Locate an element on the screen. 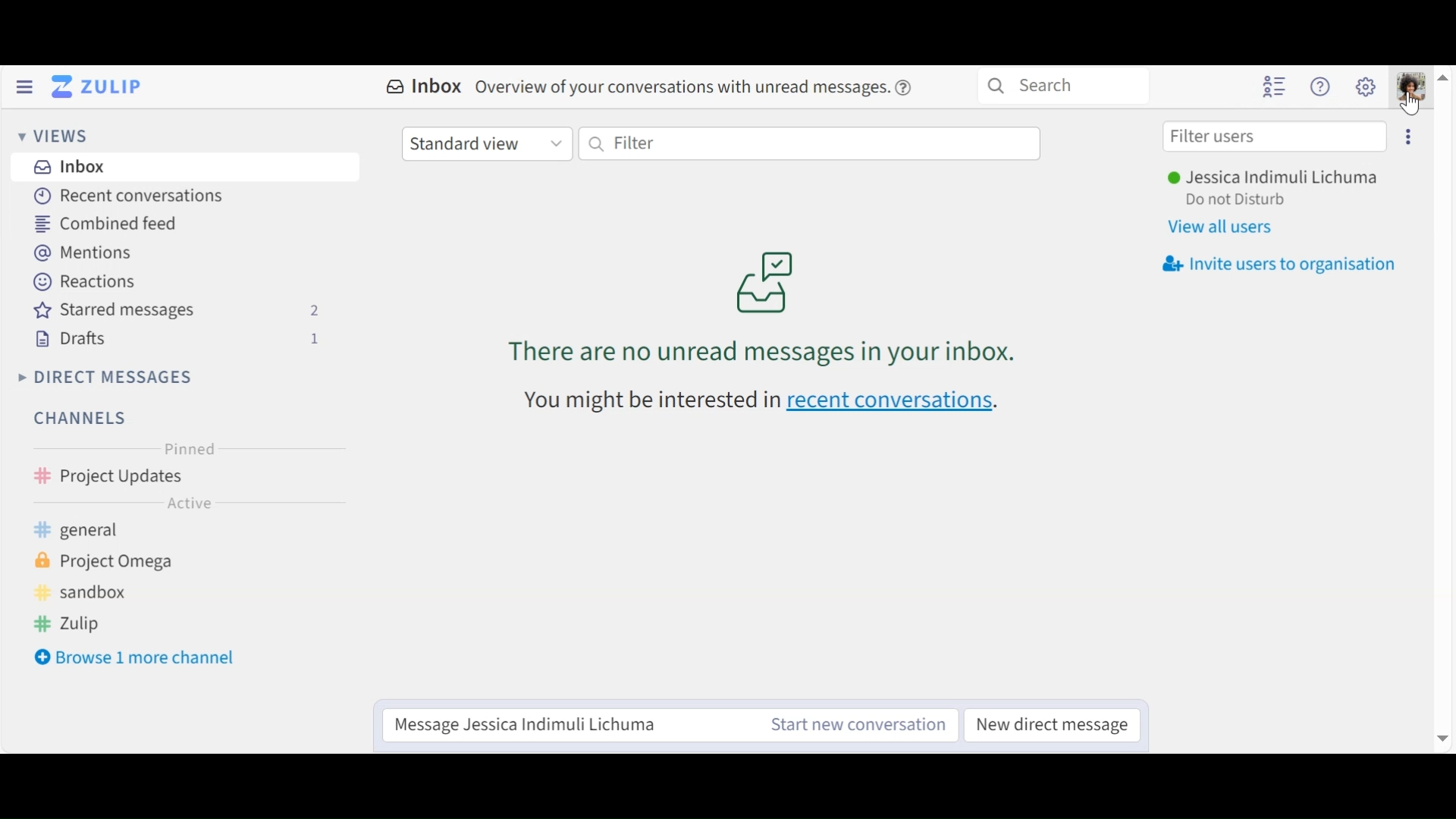 This screenshot has height=819, width=1456. general is located at coordinates (105, 532).